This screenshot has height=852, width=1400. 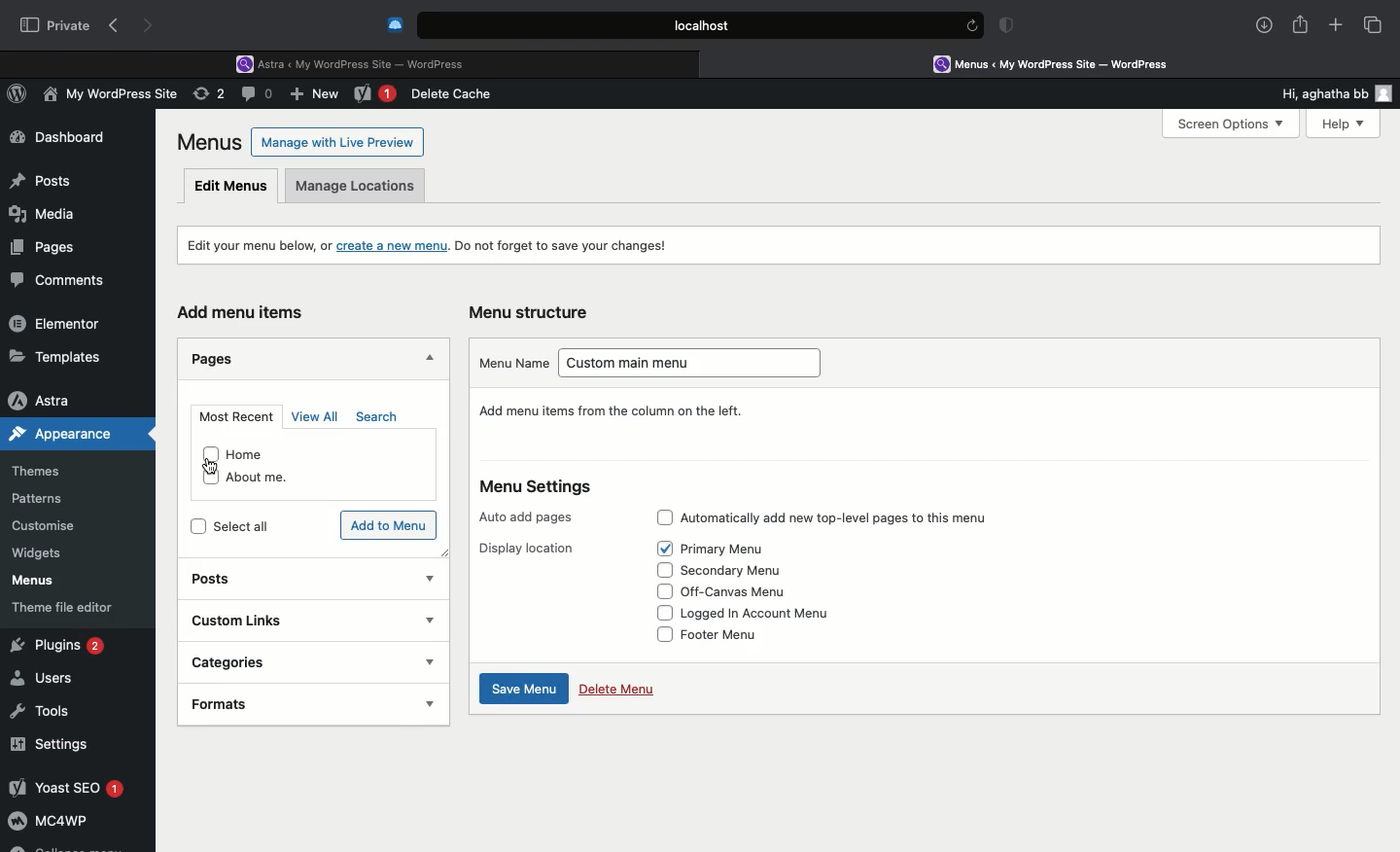 What do you see at coordinates (257, 245) in the screenshot?
I see `Edit your menu, or` at bounding box center [257, 245].